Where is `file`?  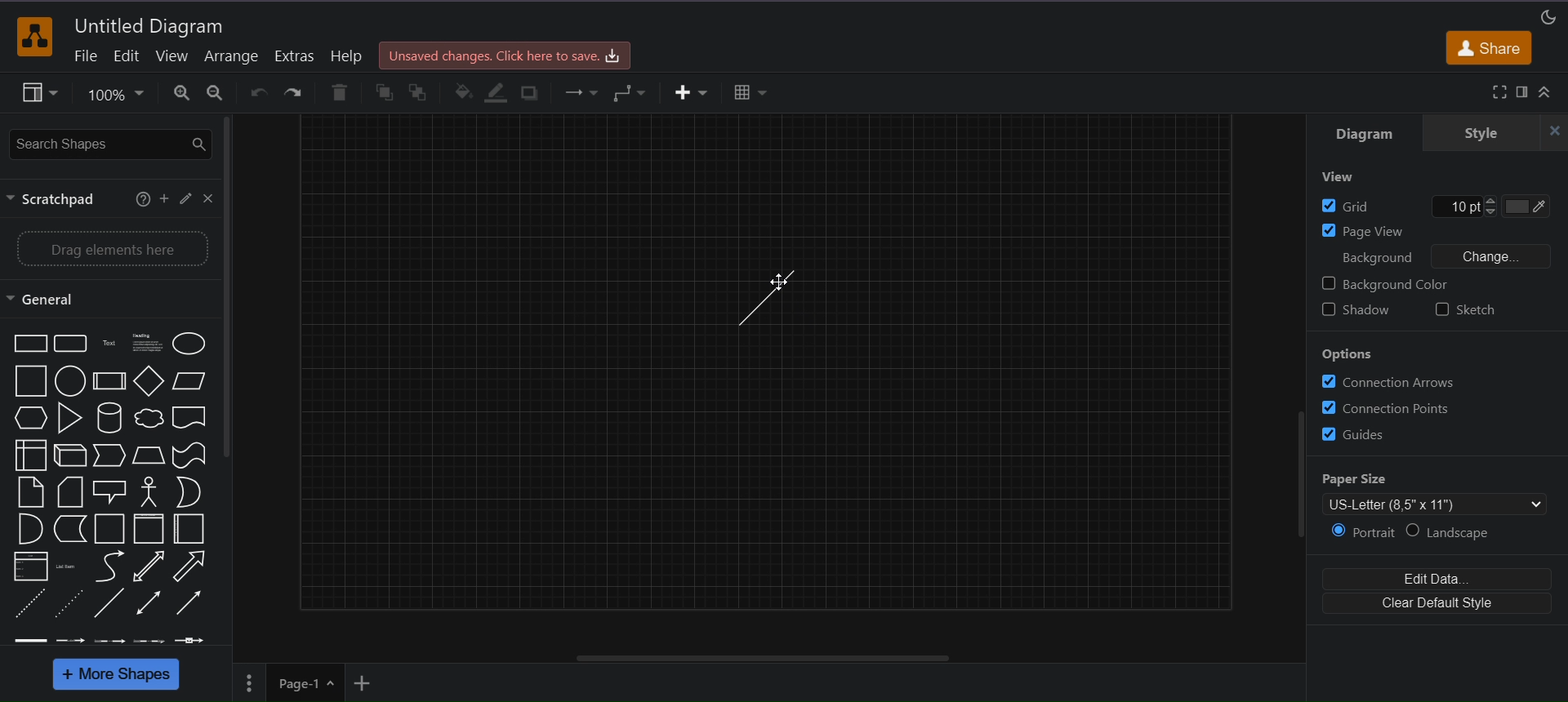
file is located at coordinates (84, 56).